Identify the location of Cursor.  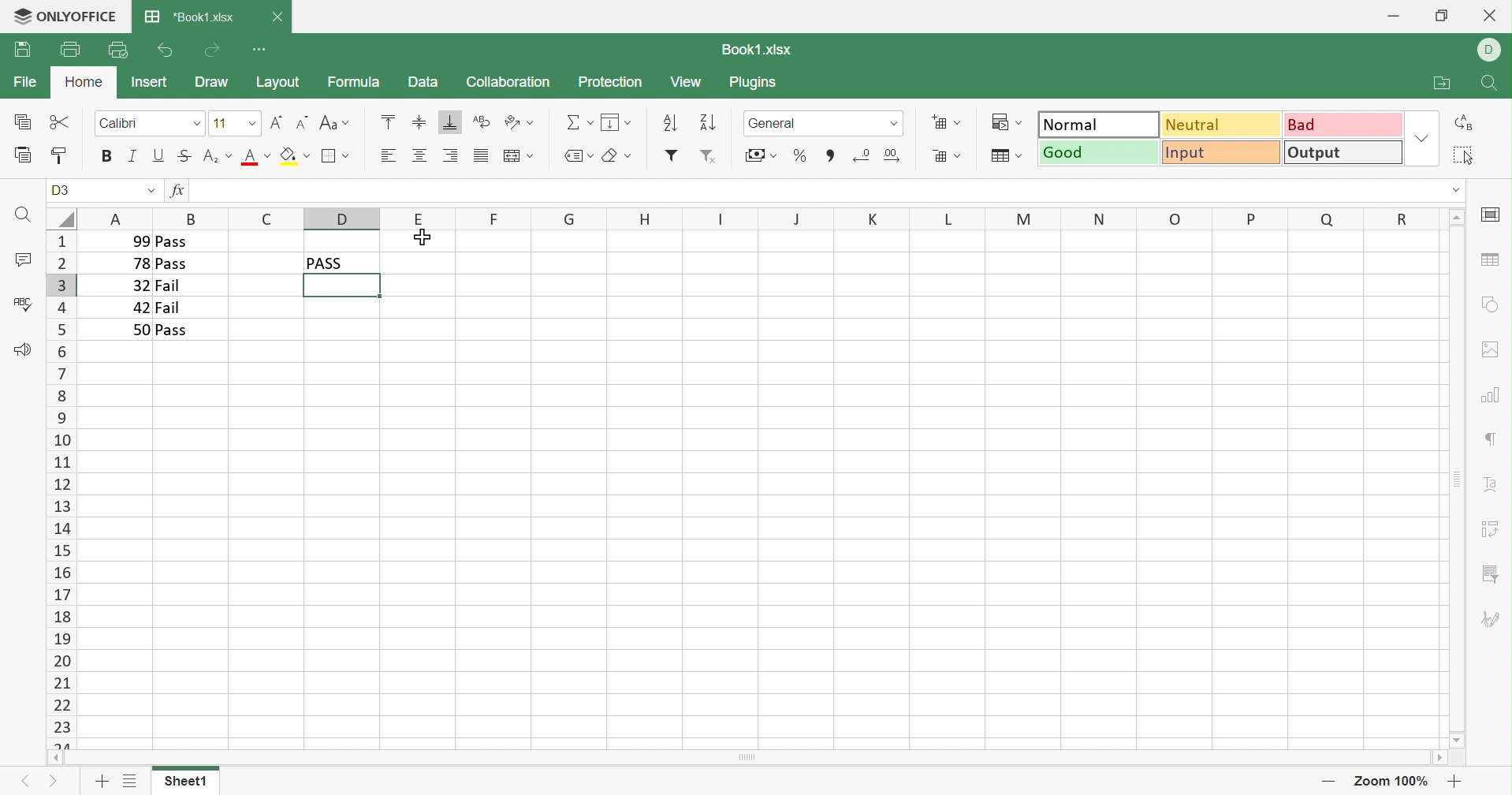
(423, 238).